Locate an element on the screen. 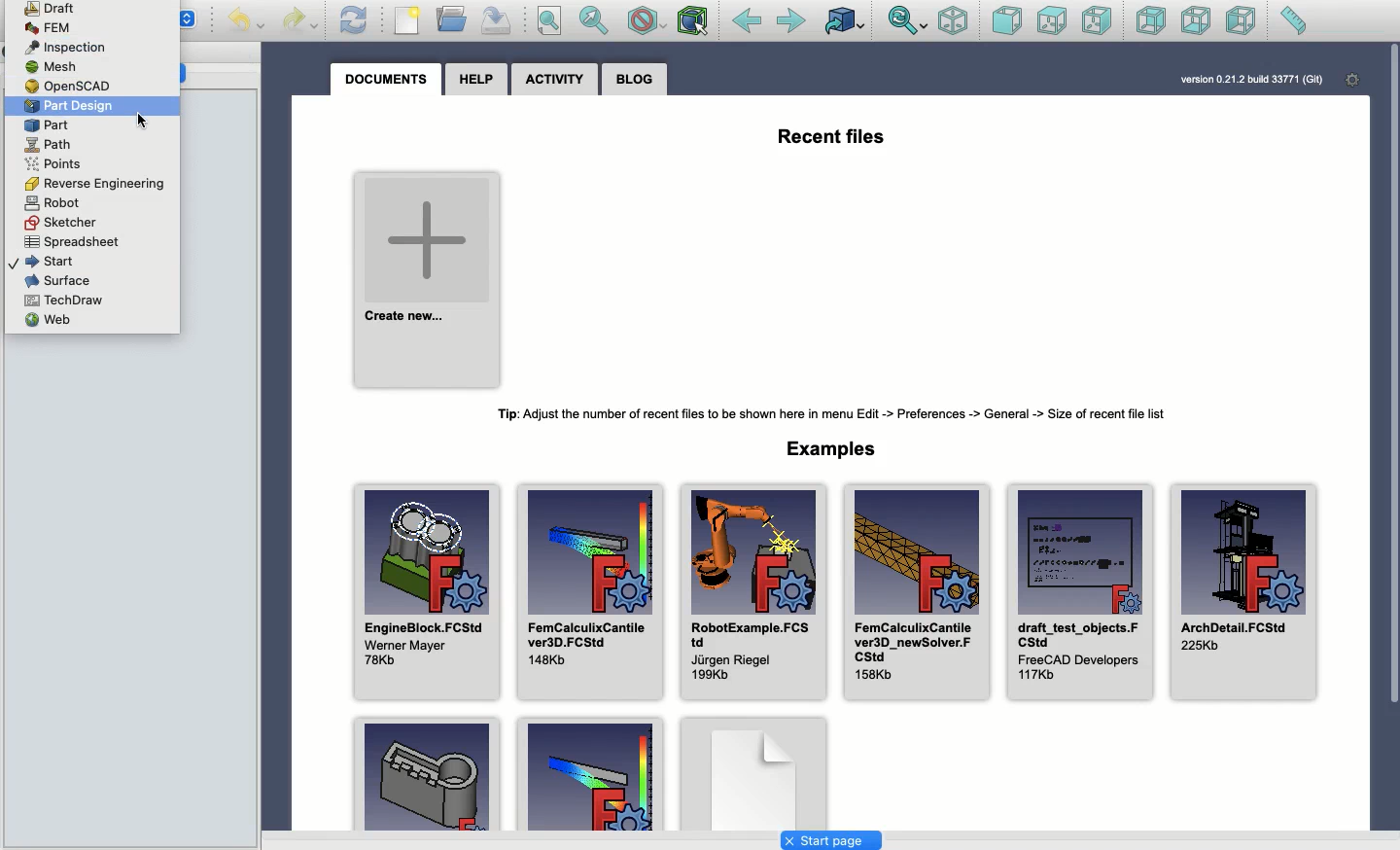 The image size is (1400, 850). Save is located at coordinates (494, 18).